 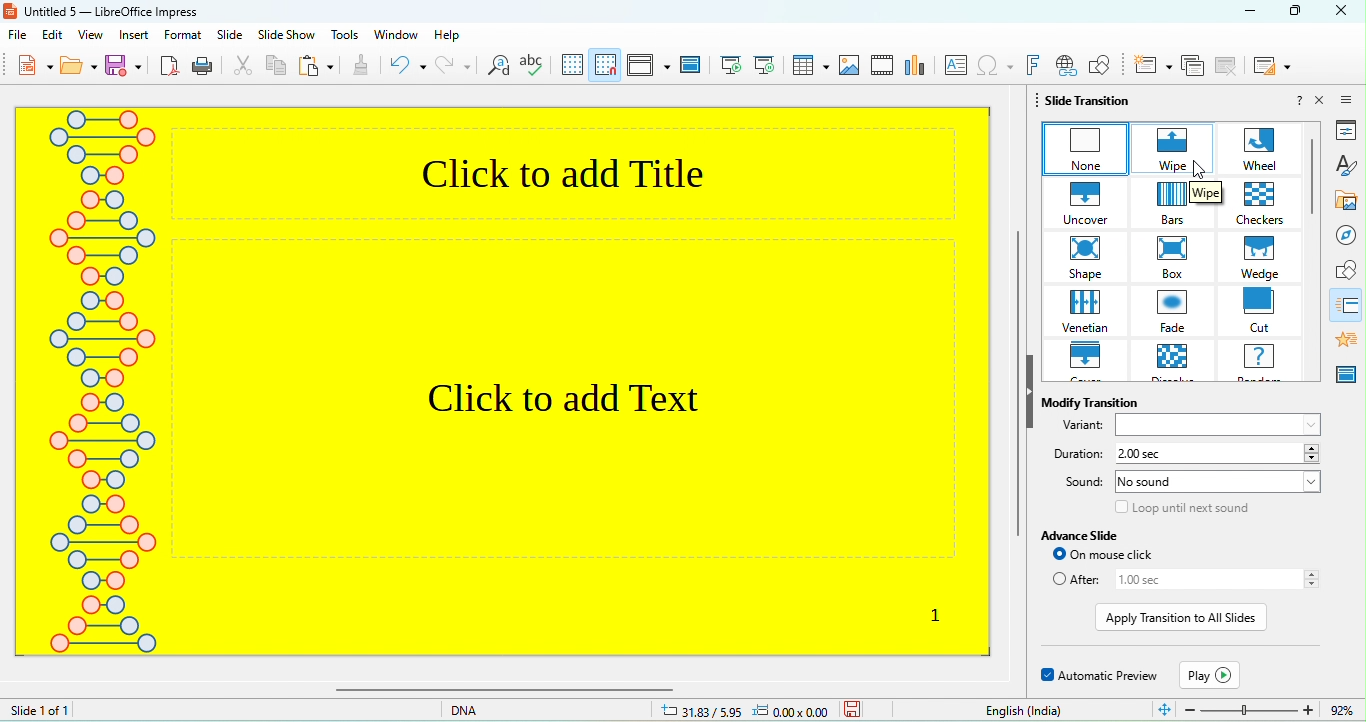 I want to click on checkers, so click(x=1264, y=203).